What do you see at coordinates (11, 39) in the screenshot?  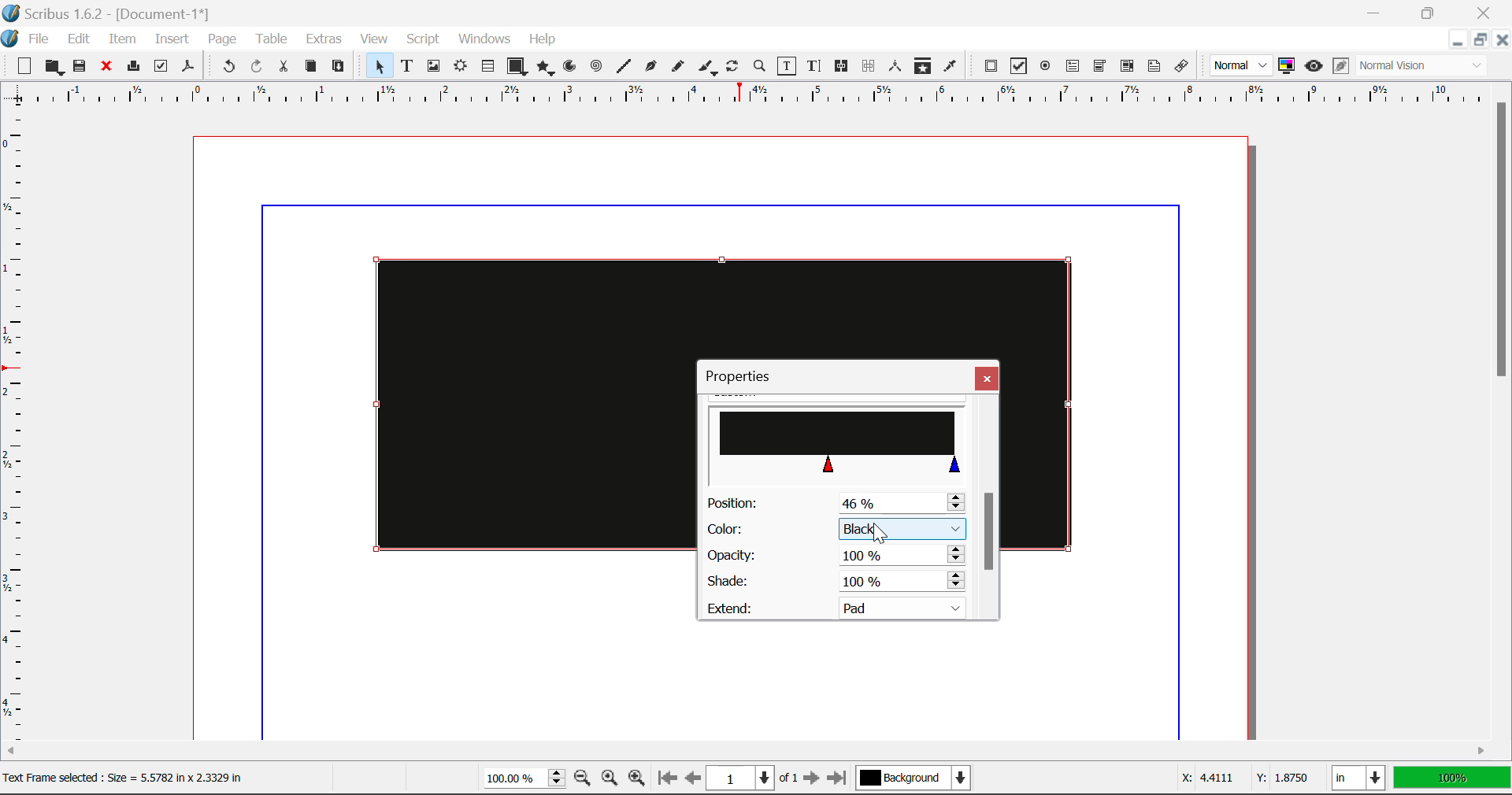 I see `scribus logo` at bounding box center [11, 39].